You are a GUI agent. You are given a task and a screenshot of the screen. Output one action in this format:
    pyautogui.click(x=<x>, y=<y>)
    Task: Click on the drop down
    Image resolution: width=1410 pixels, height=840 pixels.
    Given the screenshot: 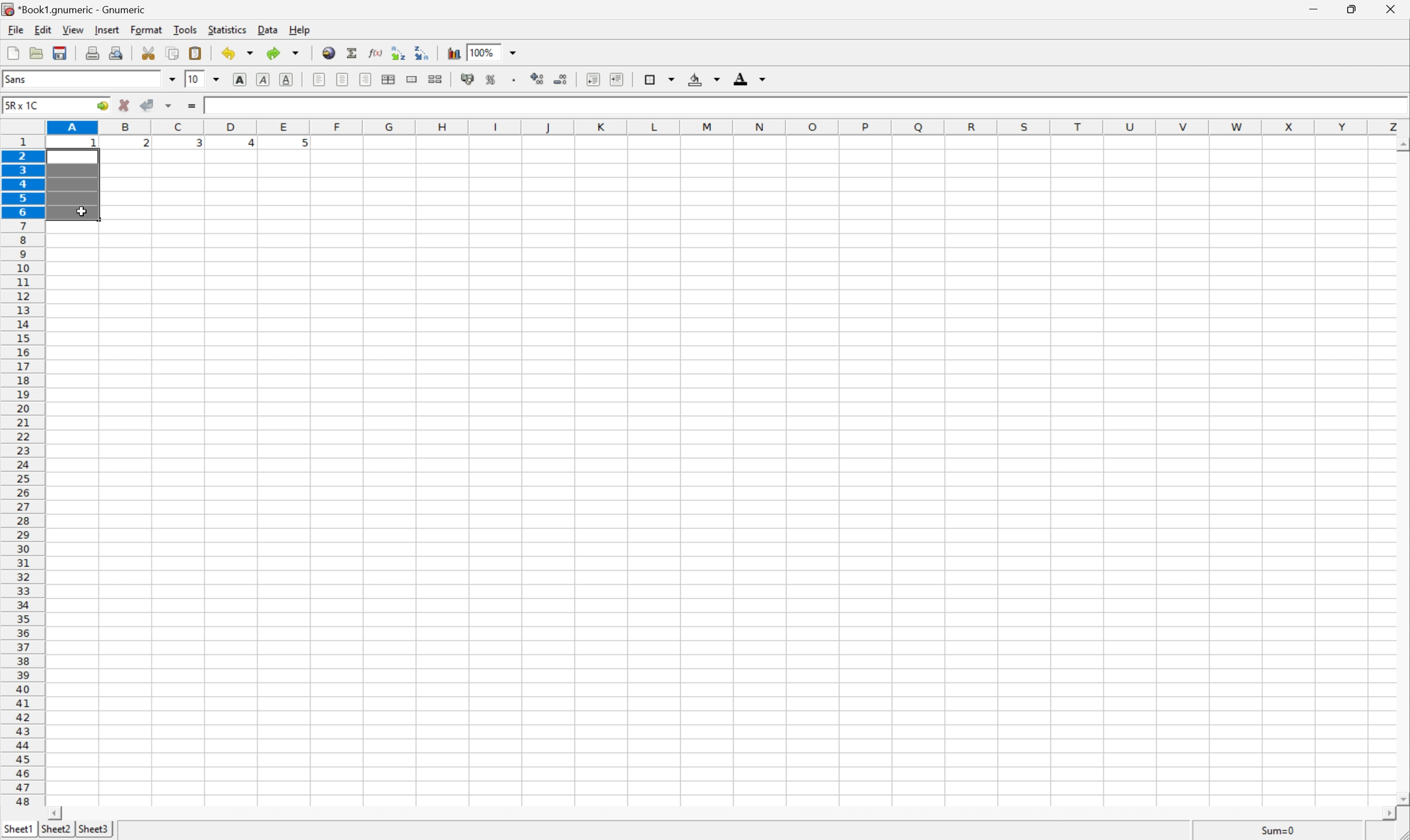 What is the action you would take?
    pyautogui.click(x=172, y=81)
    